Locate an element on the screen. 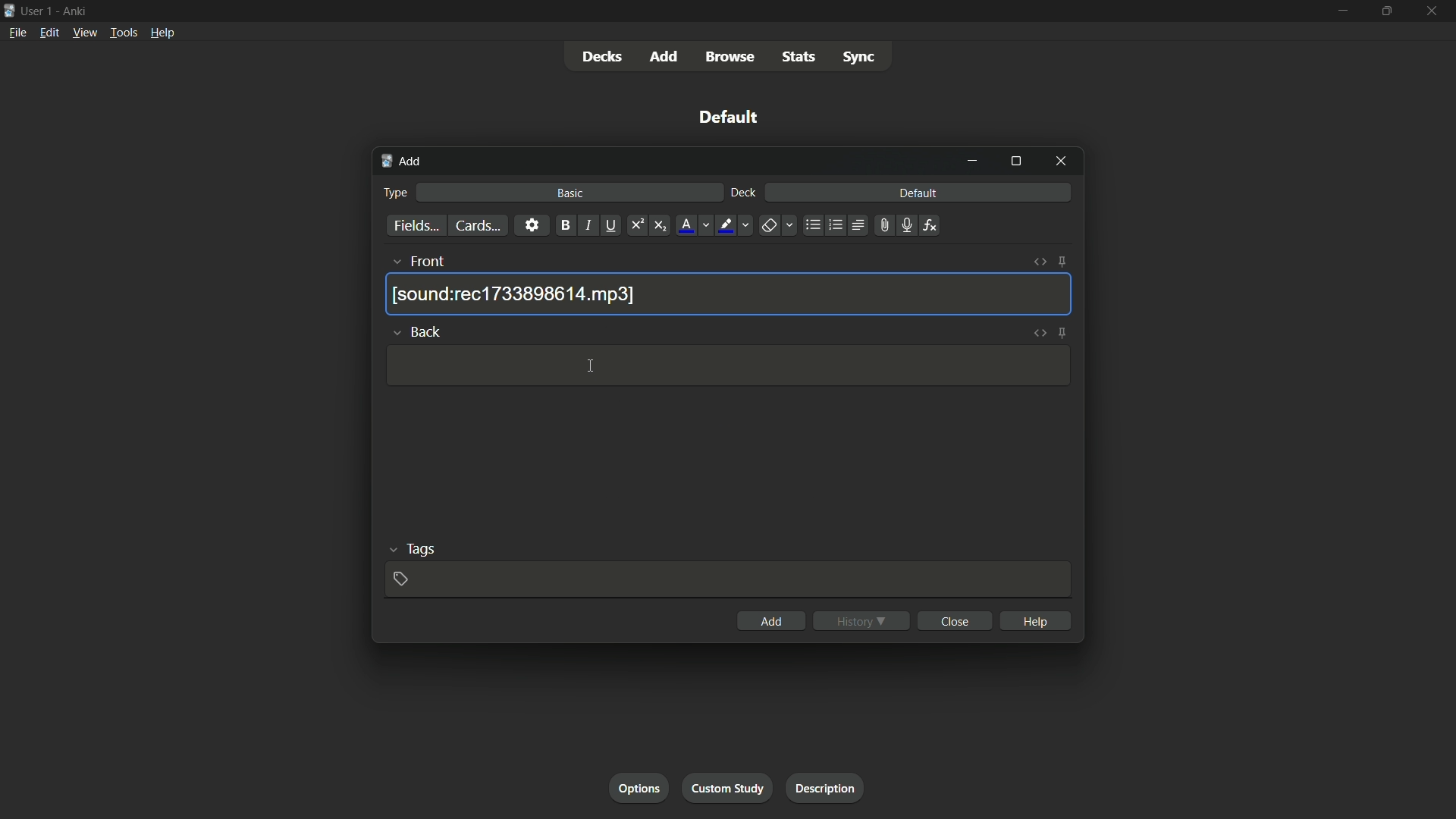  help menu is located at coordinates (162, 33).